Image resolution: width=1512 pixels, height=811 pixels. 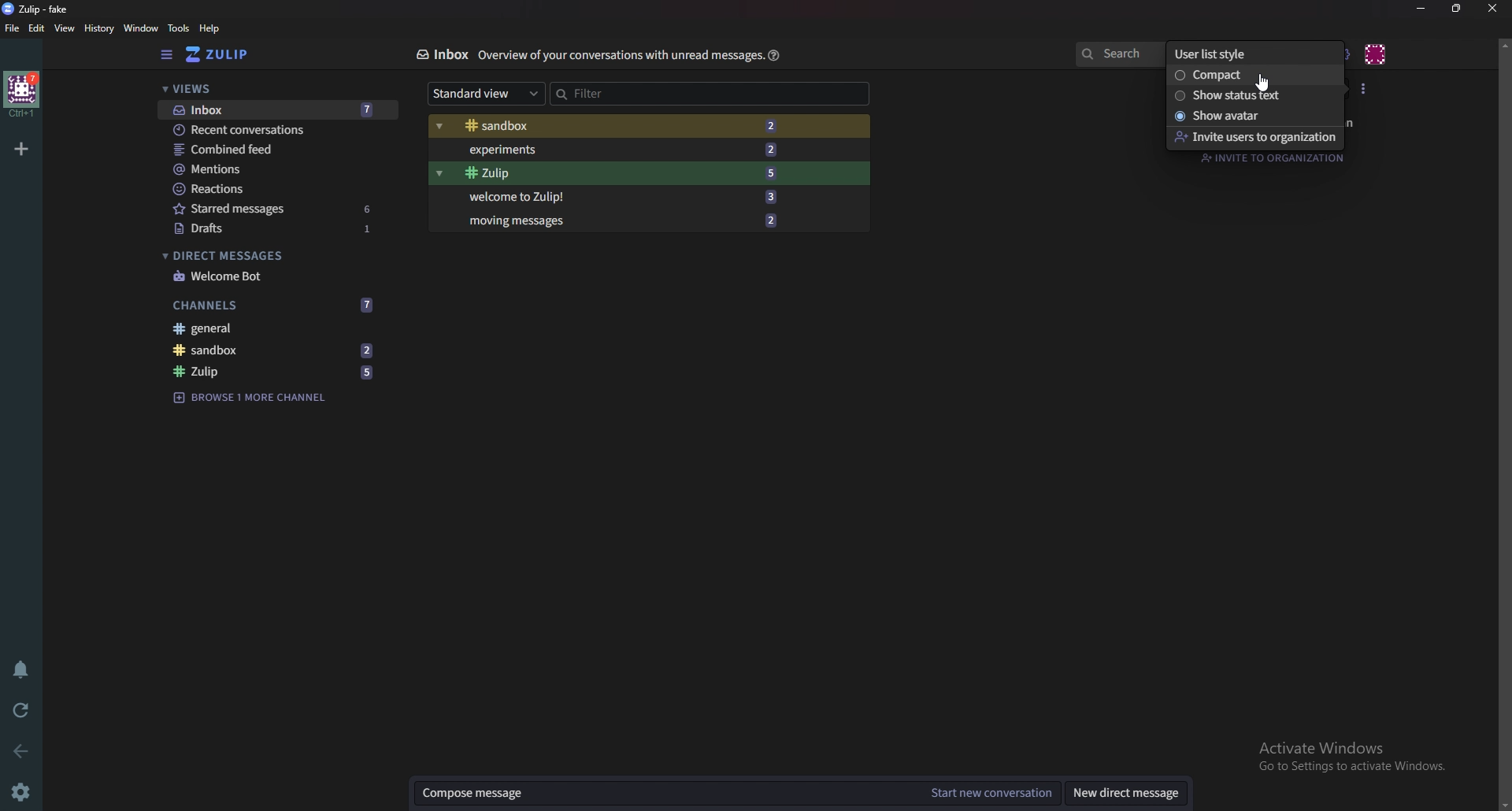 What do you see at coordinates (274, 189) in the screenshot?
I see `Reactions` at bounding box center [274, 189].